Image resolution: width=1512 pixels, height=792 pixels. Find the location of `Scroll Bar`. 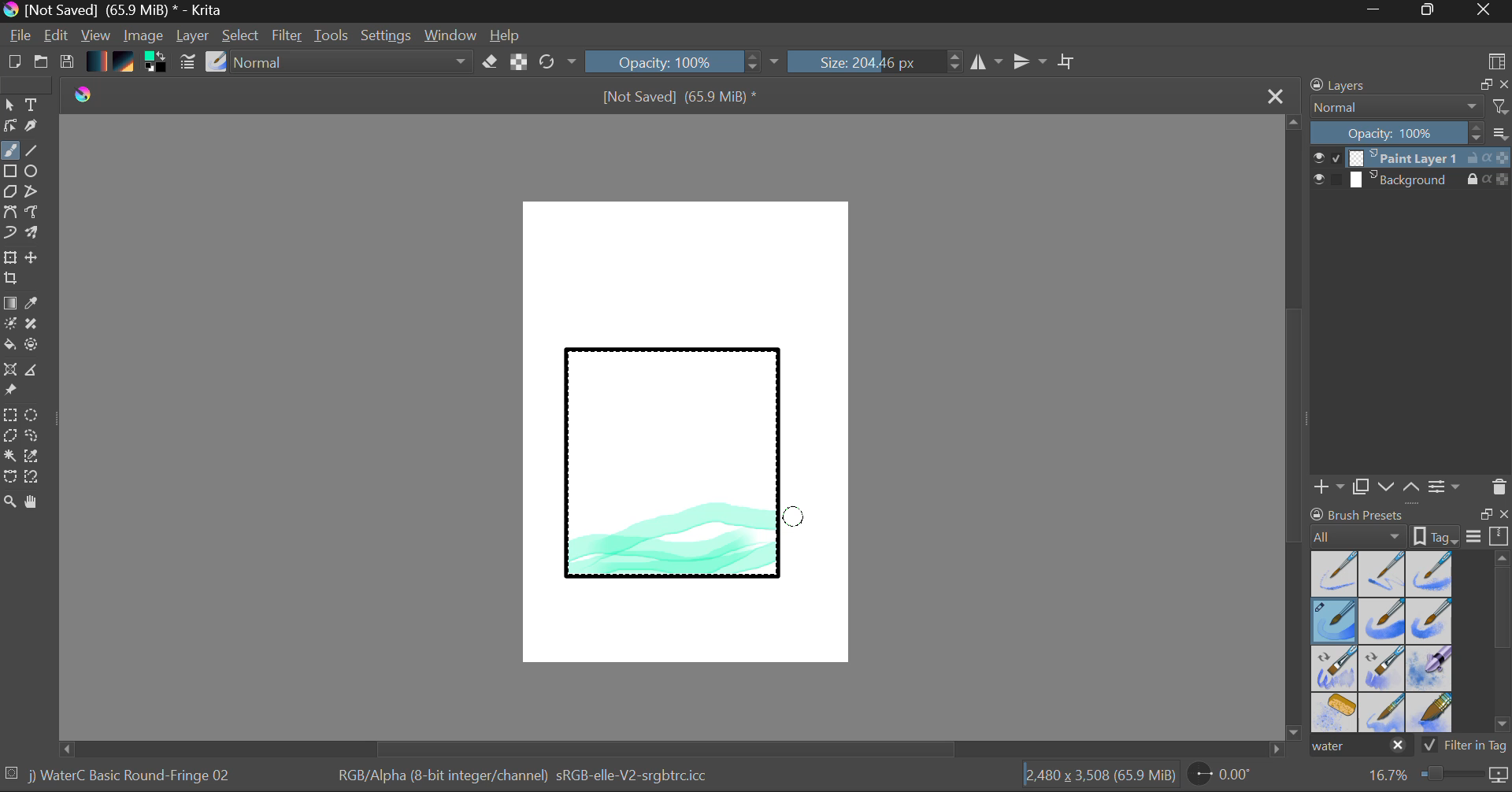

Scroll Bar is located at coordinates (673, 749).